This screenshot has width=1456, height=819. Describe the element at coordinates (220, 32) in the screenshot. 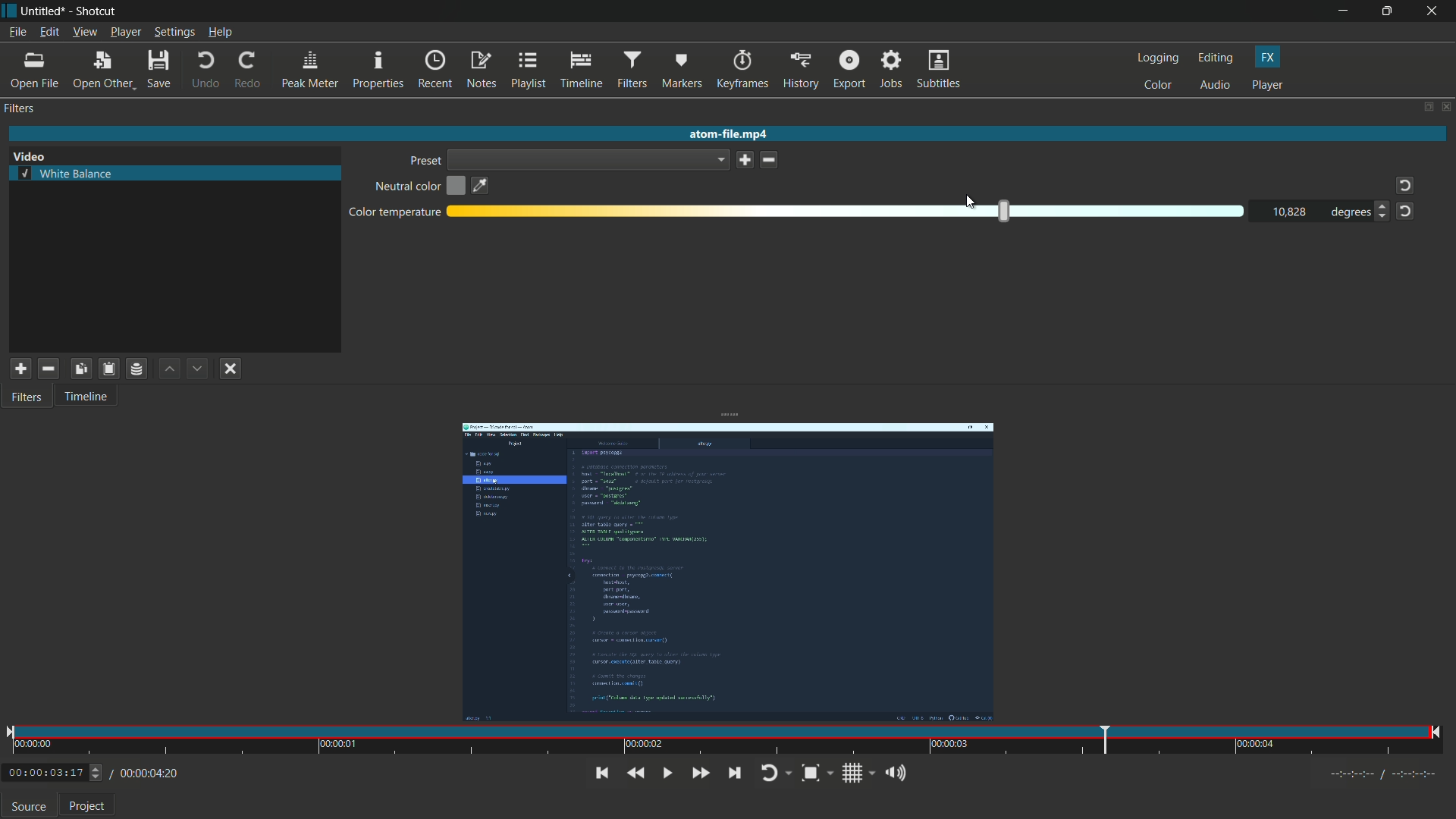

I see `help menu` at that location.